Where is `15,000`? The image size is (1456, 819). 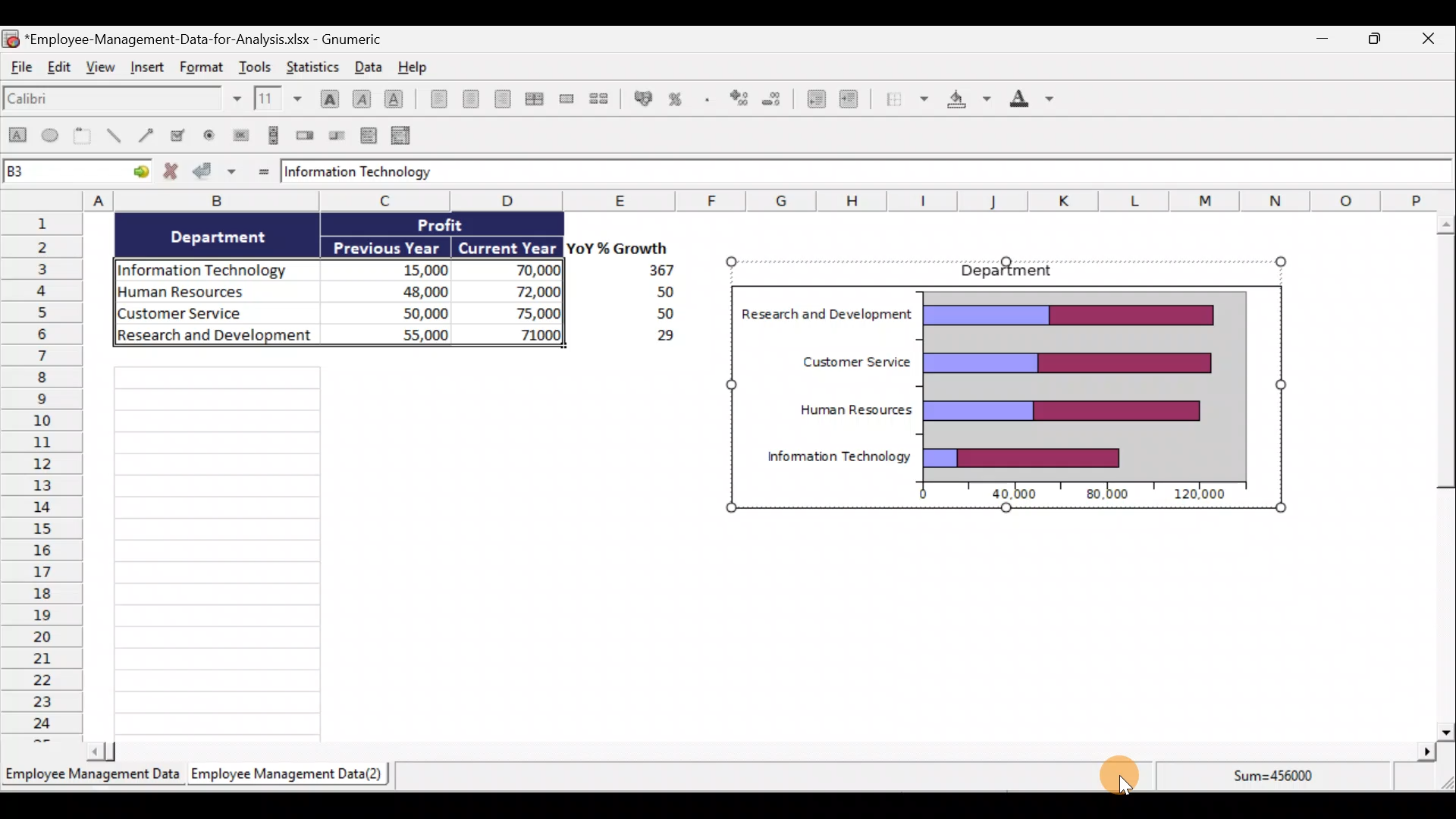
15,000 is located at coordinates (413, 268).